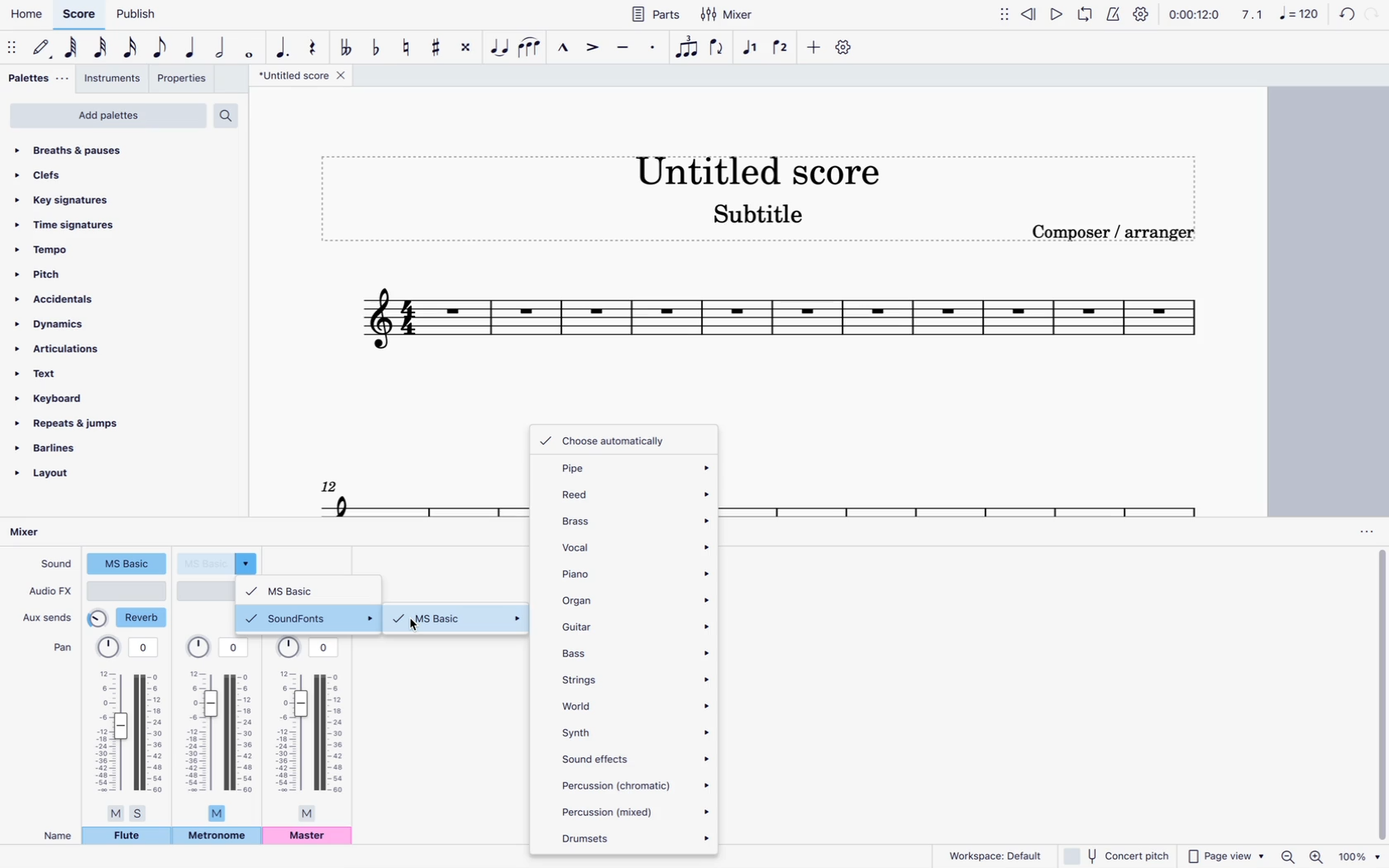  I want to click on settings, so click(1140, 13).